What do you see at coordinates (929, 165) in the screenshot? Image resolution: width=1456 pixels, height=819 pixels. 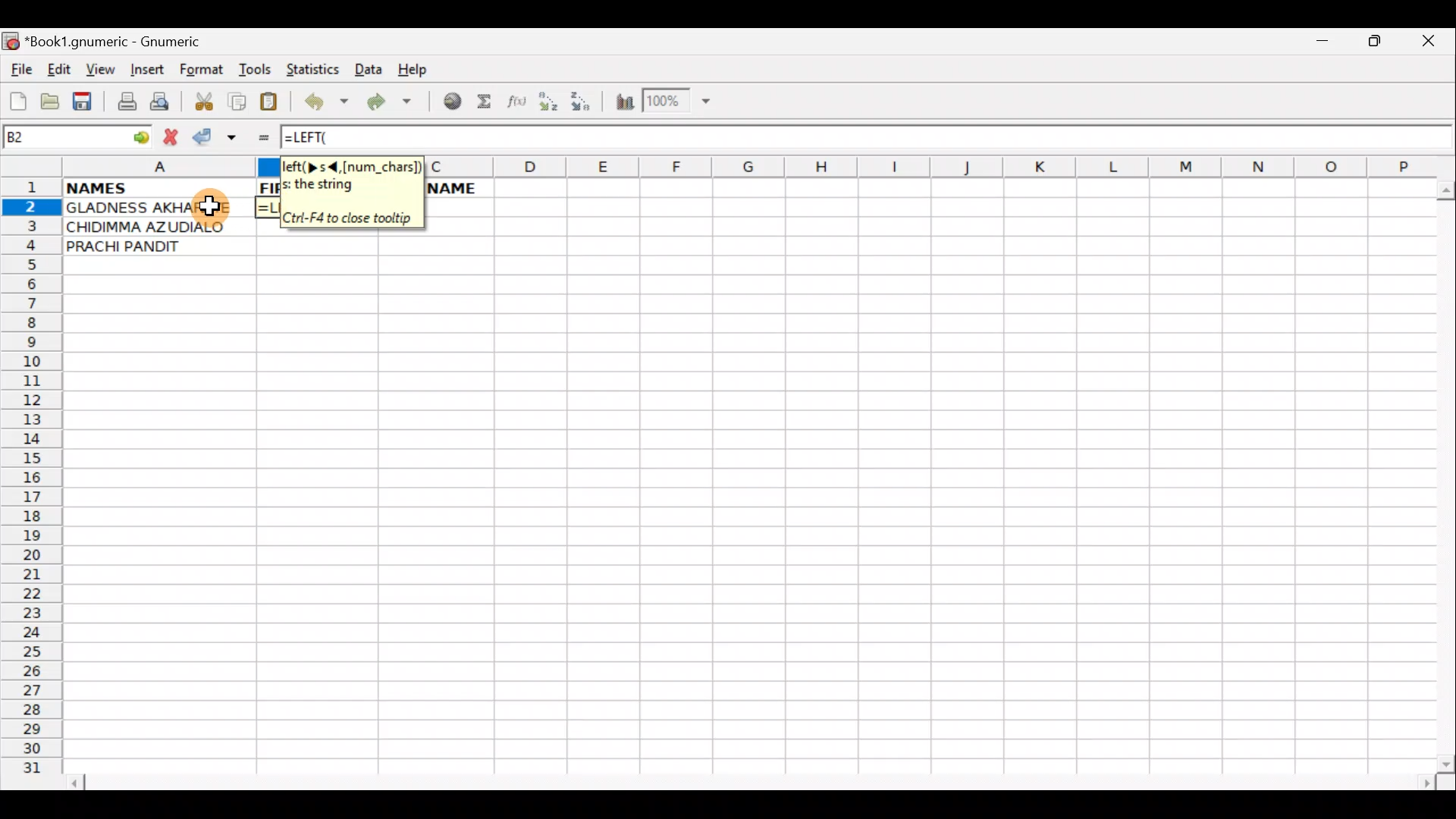 I see `Columns` at bounding box center [929, 165].